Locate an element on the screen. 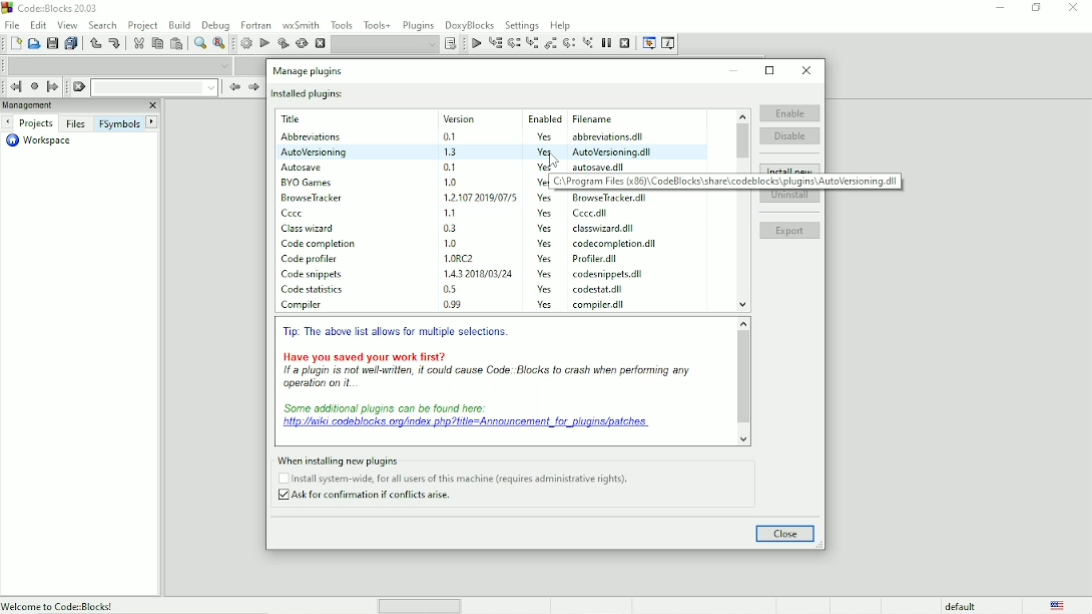  New file is located at coordinates (16, 44).